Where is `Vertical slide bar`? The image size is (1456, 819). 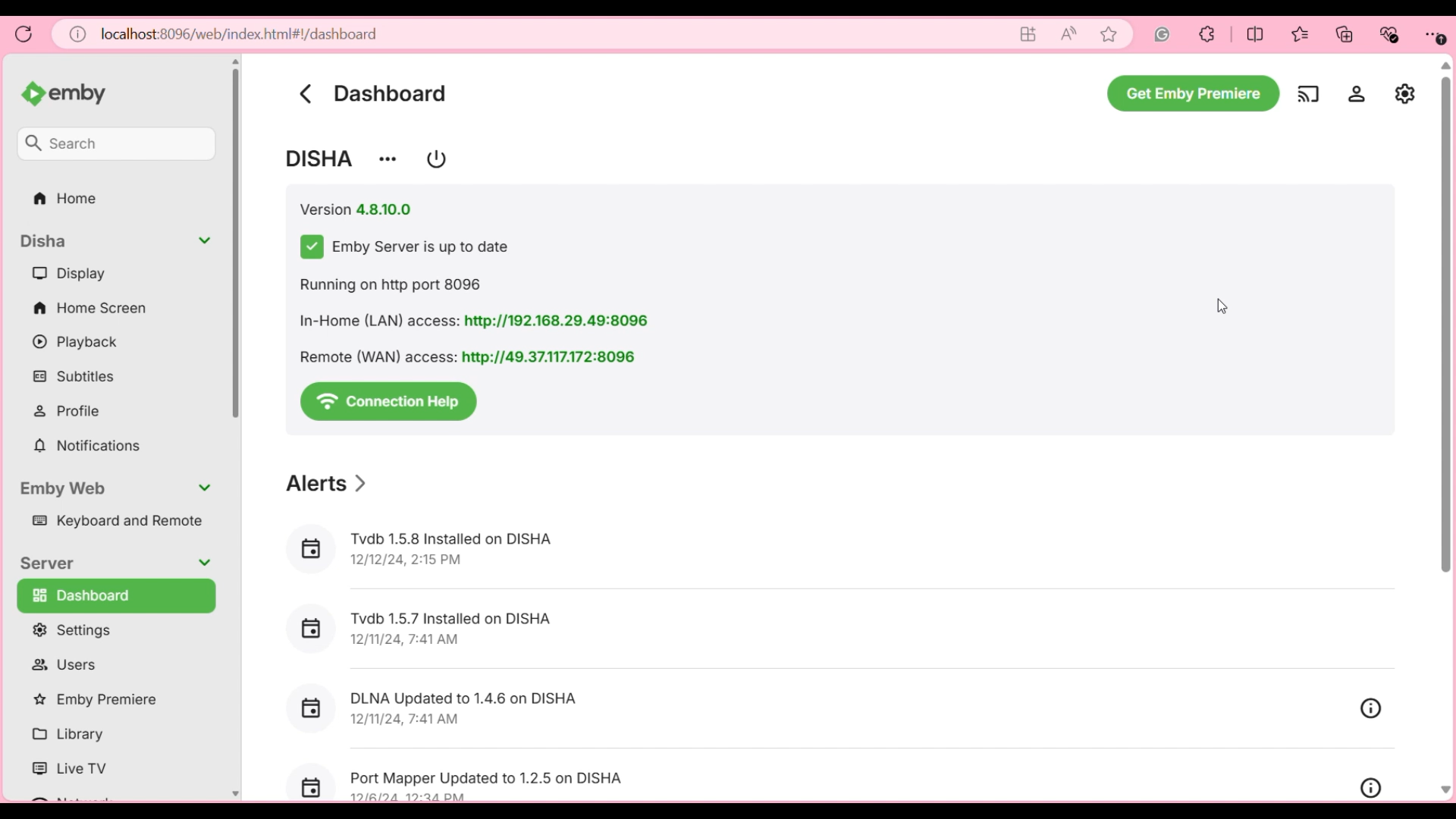 Vertical slide bar is located at coordinates (237, 429).